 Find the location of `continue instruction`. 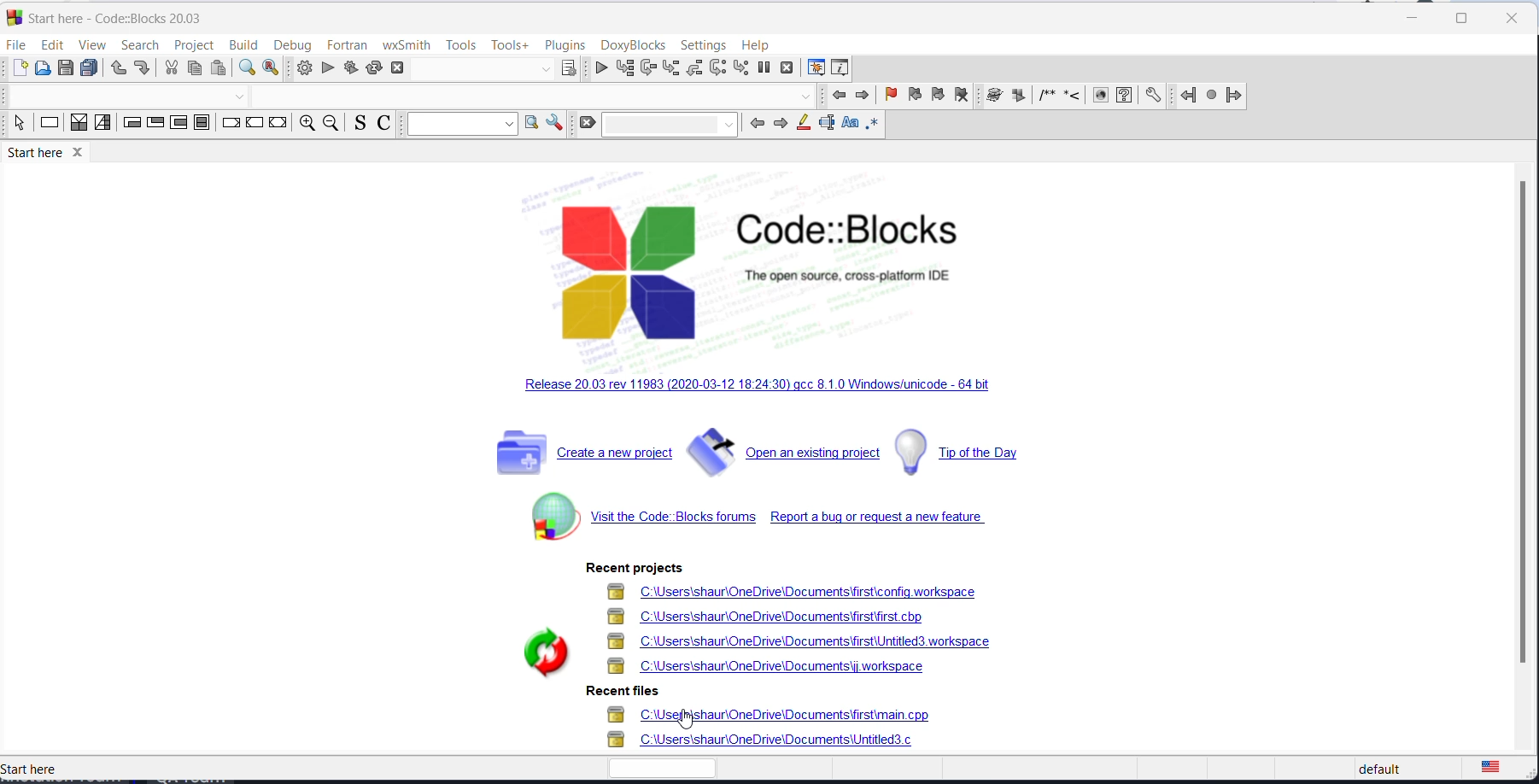

continue instruction is located at coordinates (254, 125).